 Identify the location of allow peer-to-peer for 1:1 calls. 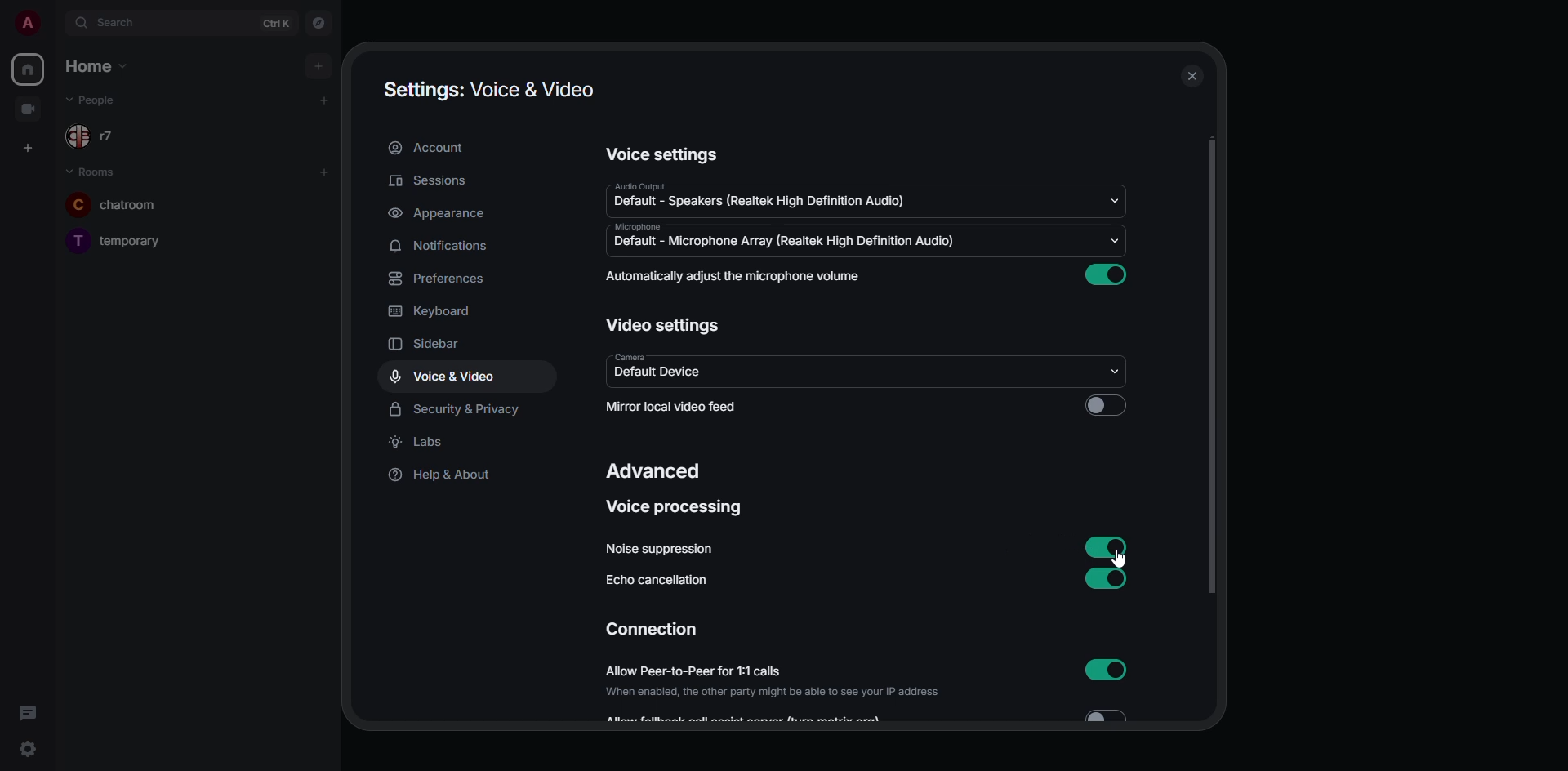
(770, 682).